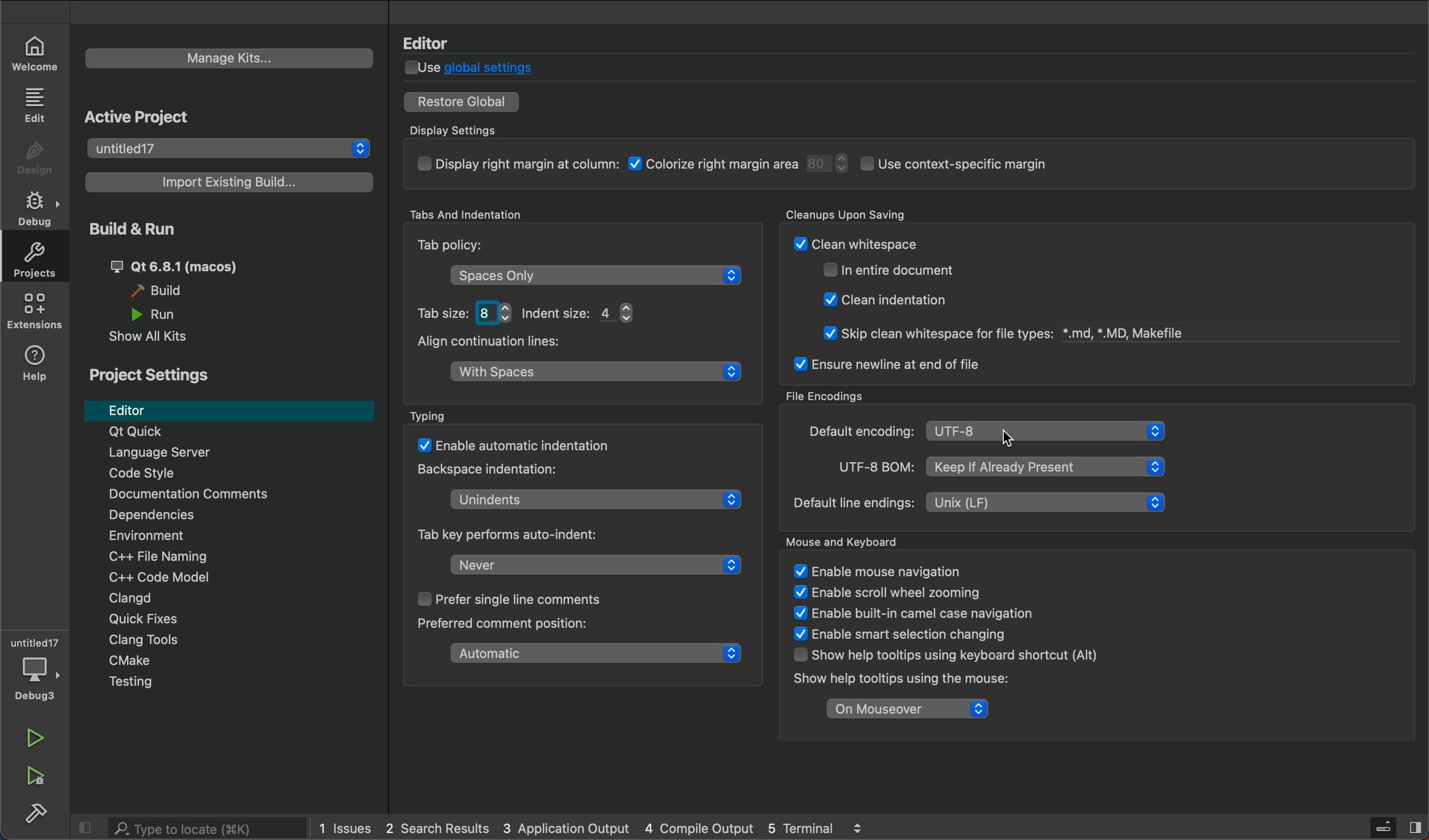  Describe the element at coordinates (38, 739) in the screenshot. I see `run` at that location.